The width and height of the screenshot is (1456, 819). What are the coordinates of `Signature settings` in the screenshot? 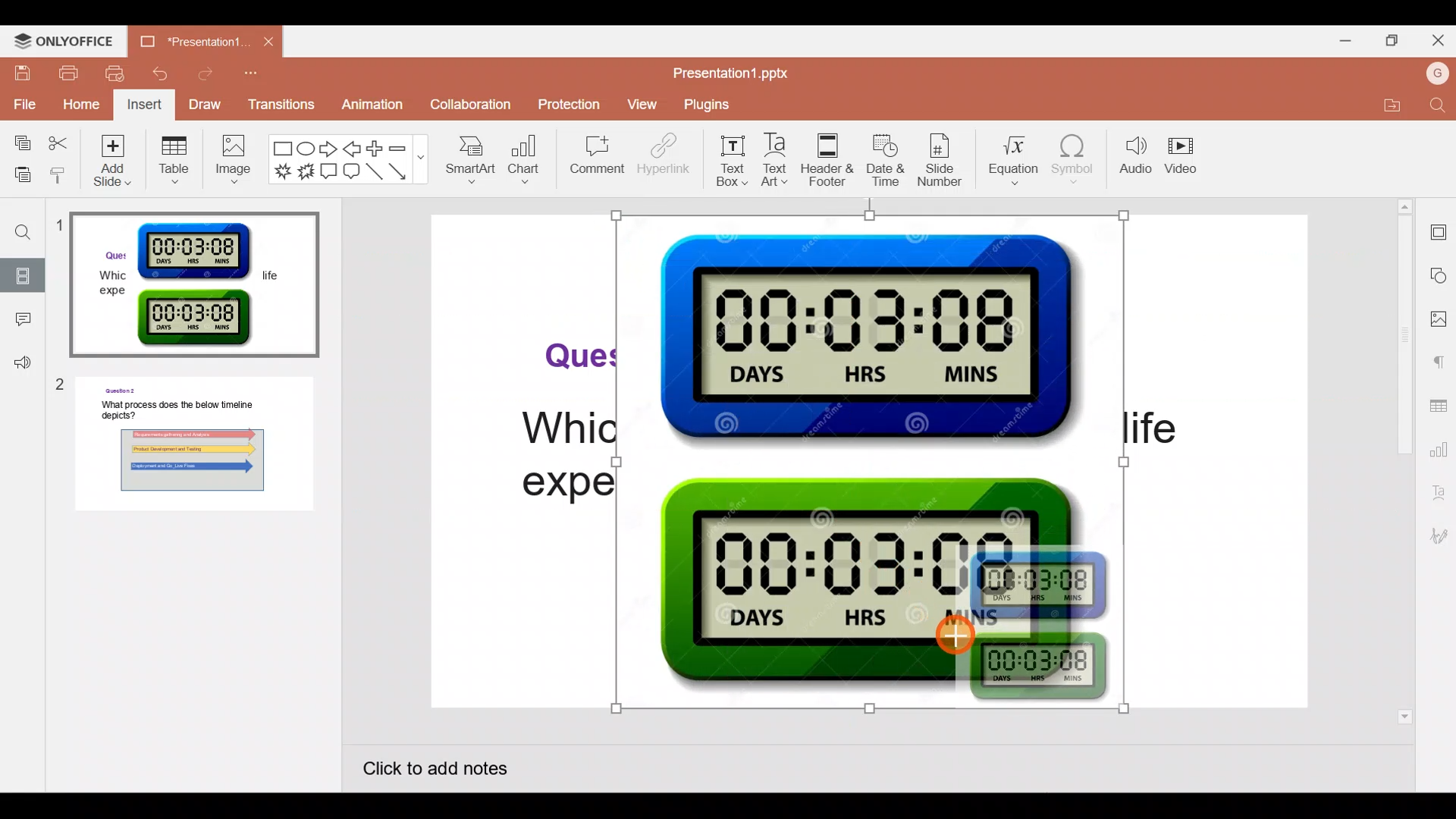 It's located at (1439, 536).